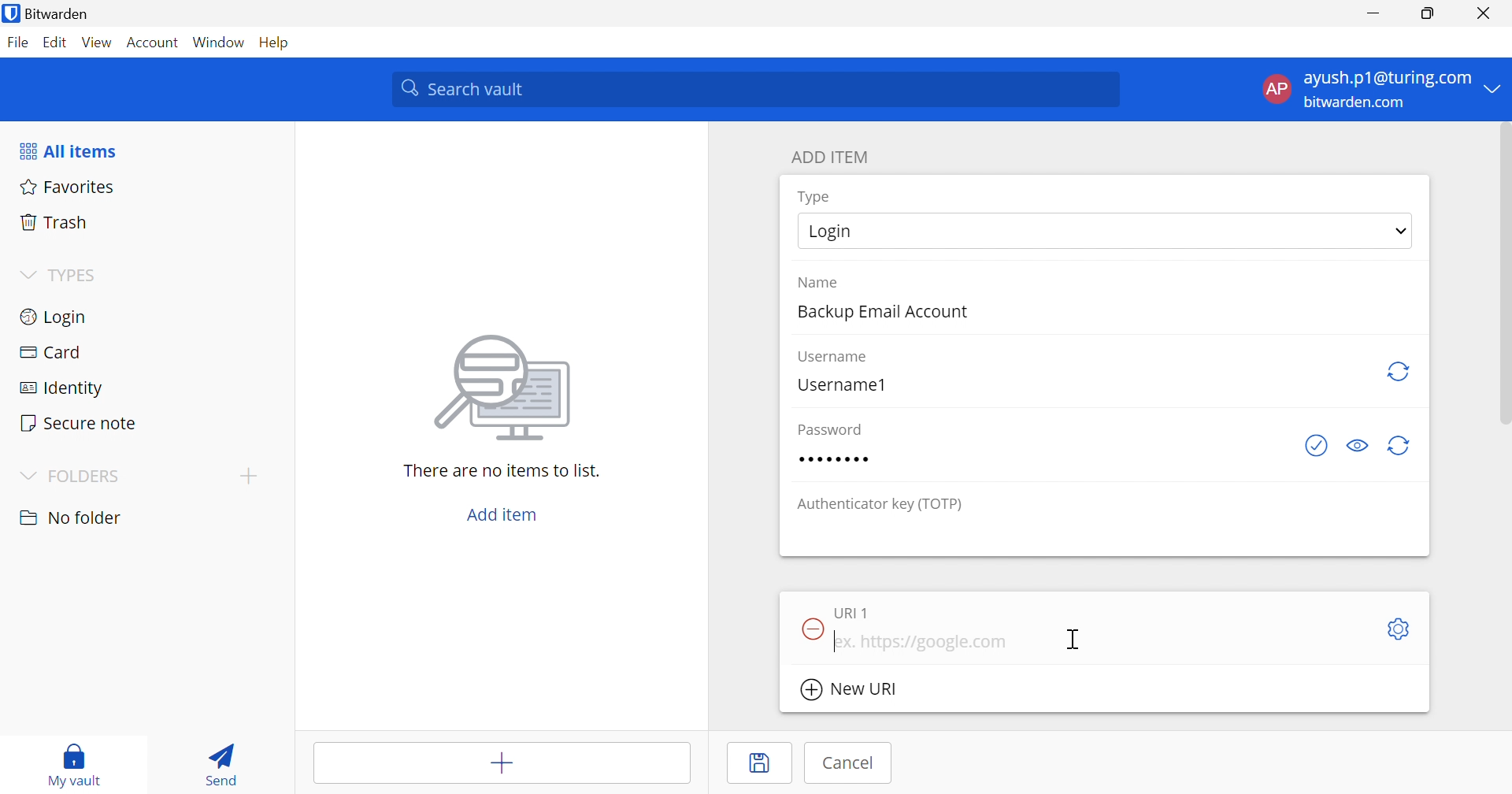 This screenshot has width=1512, height=794. I want to click on URL 1, so click(853, 613).